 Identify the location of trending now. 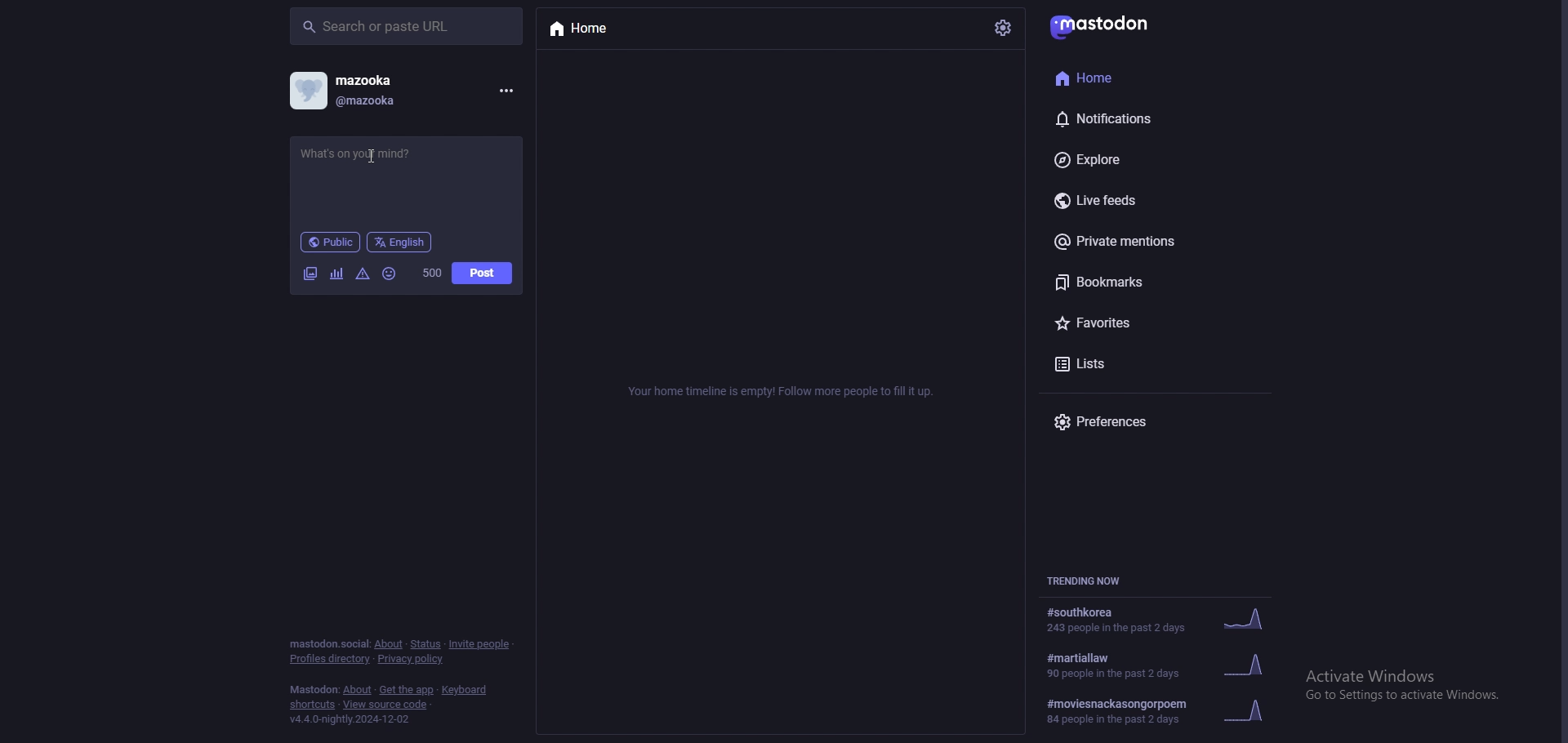
(1089, 581).